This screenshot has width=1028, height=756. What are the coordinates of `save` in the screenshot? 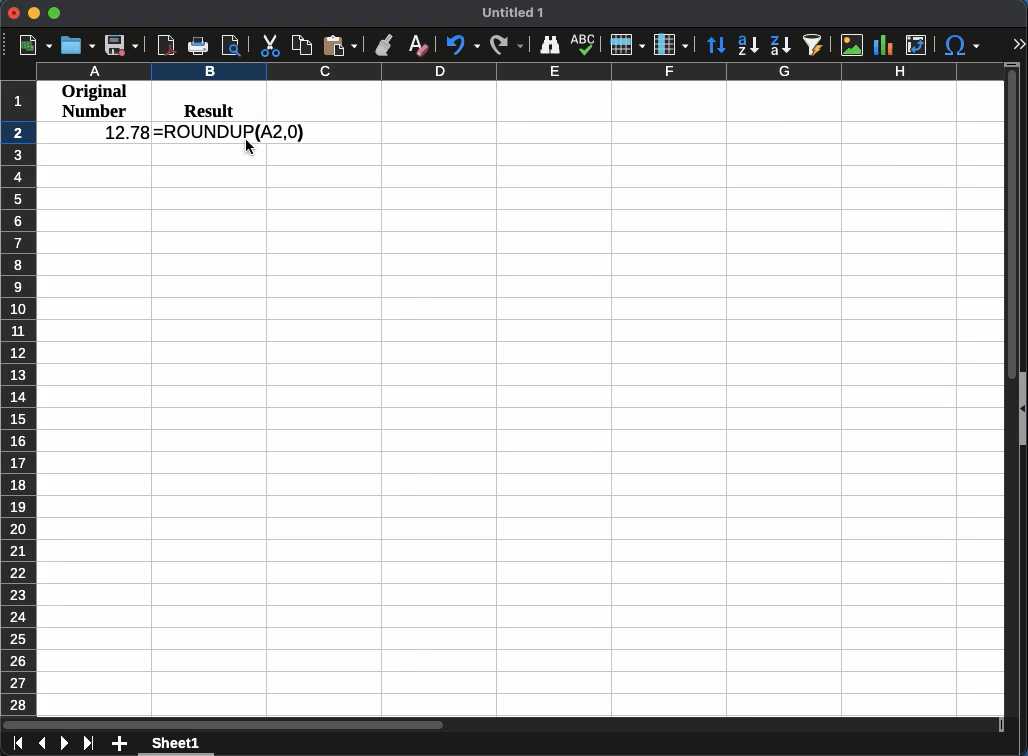 It's located at (121, 45).